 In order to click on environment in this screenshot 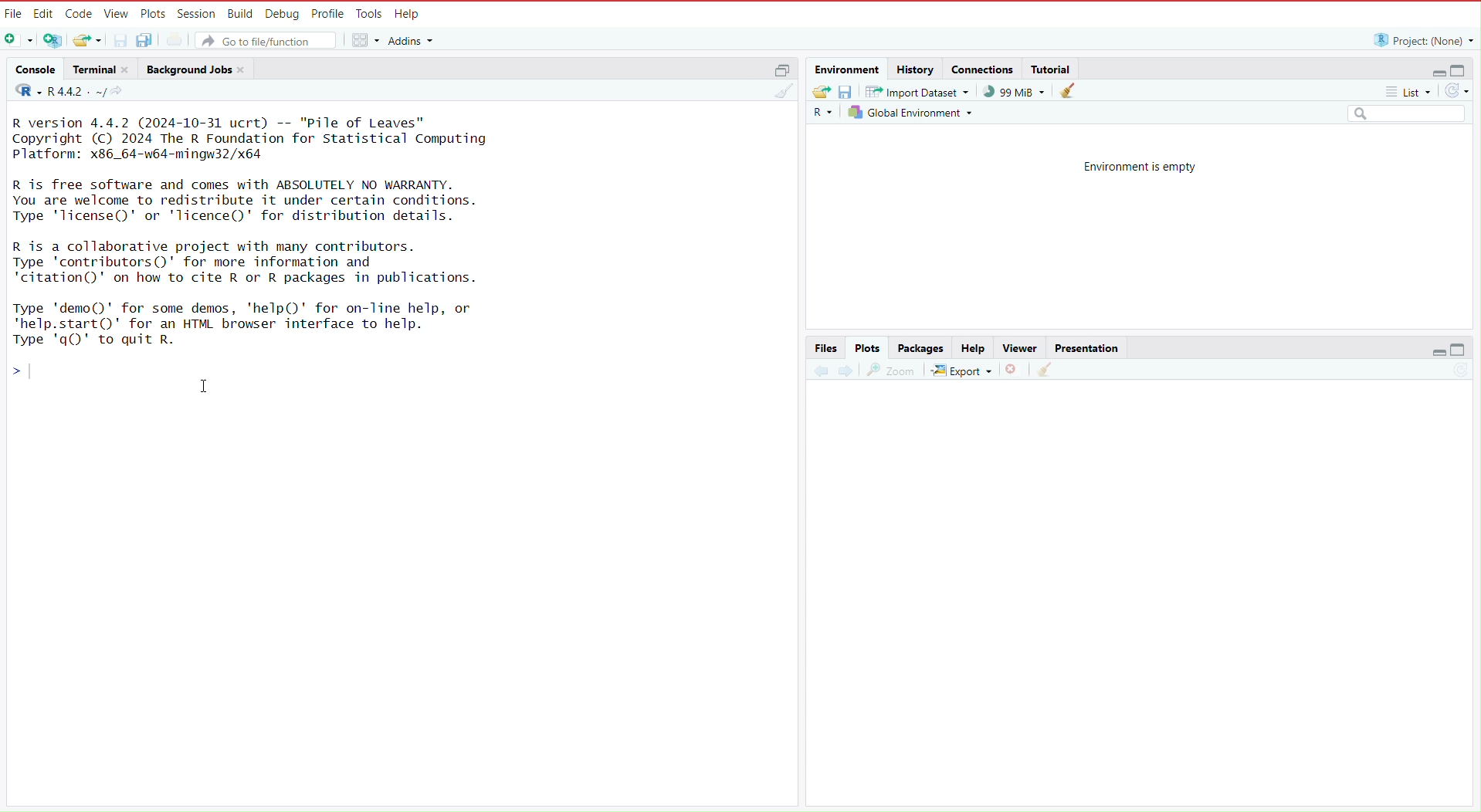, I will do `click(845, 68)`.